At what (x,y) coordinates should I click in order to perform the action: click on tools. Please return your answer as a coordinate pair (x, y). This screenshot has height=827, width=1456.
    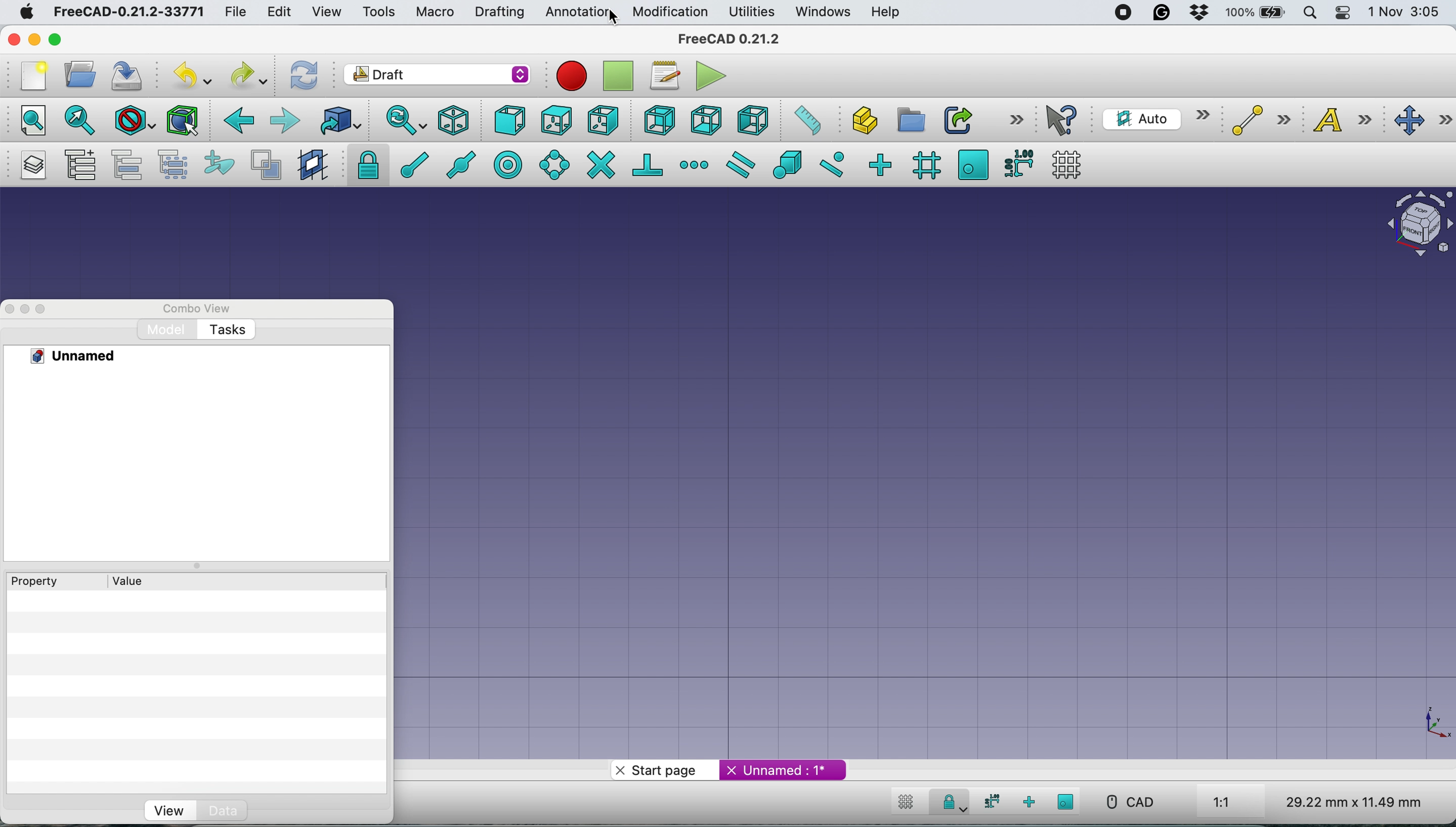
    Looking at the image, I should click on (378, 12).